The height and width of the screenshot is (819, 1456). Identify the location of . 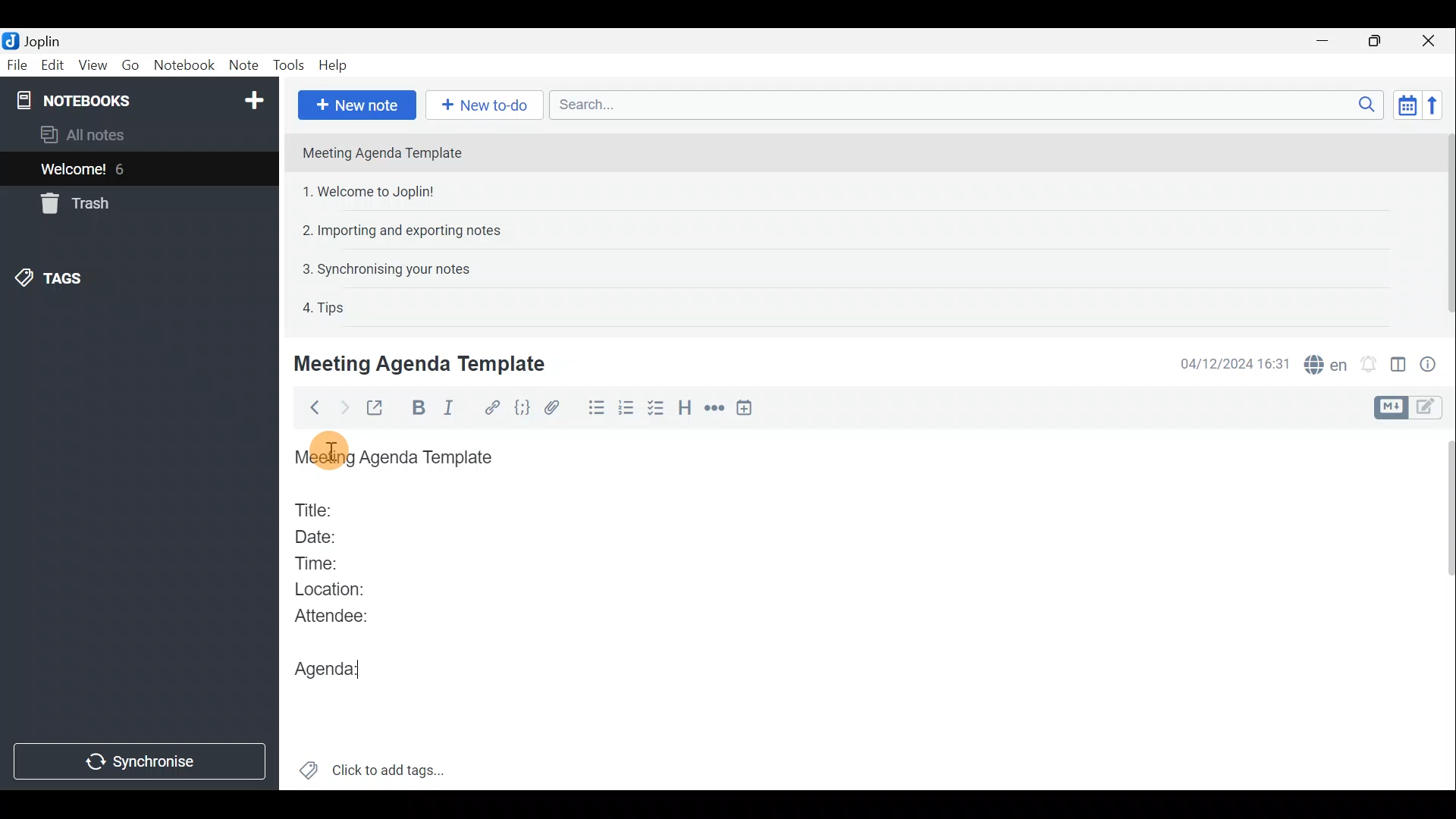
(336, 452).